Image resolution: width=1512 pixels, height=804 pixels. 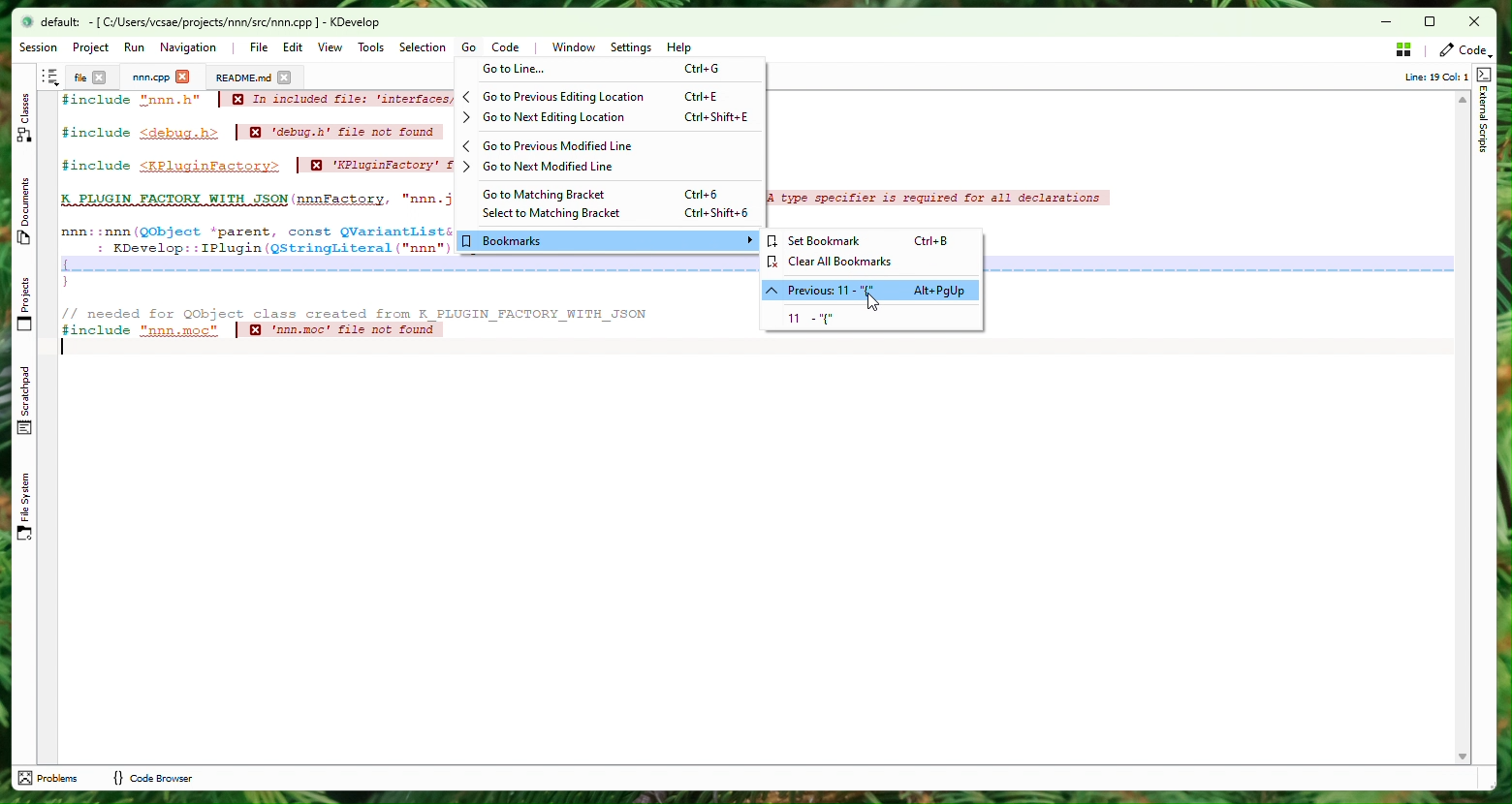 I want to click on Navigation, so click(x=193, y=48).